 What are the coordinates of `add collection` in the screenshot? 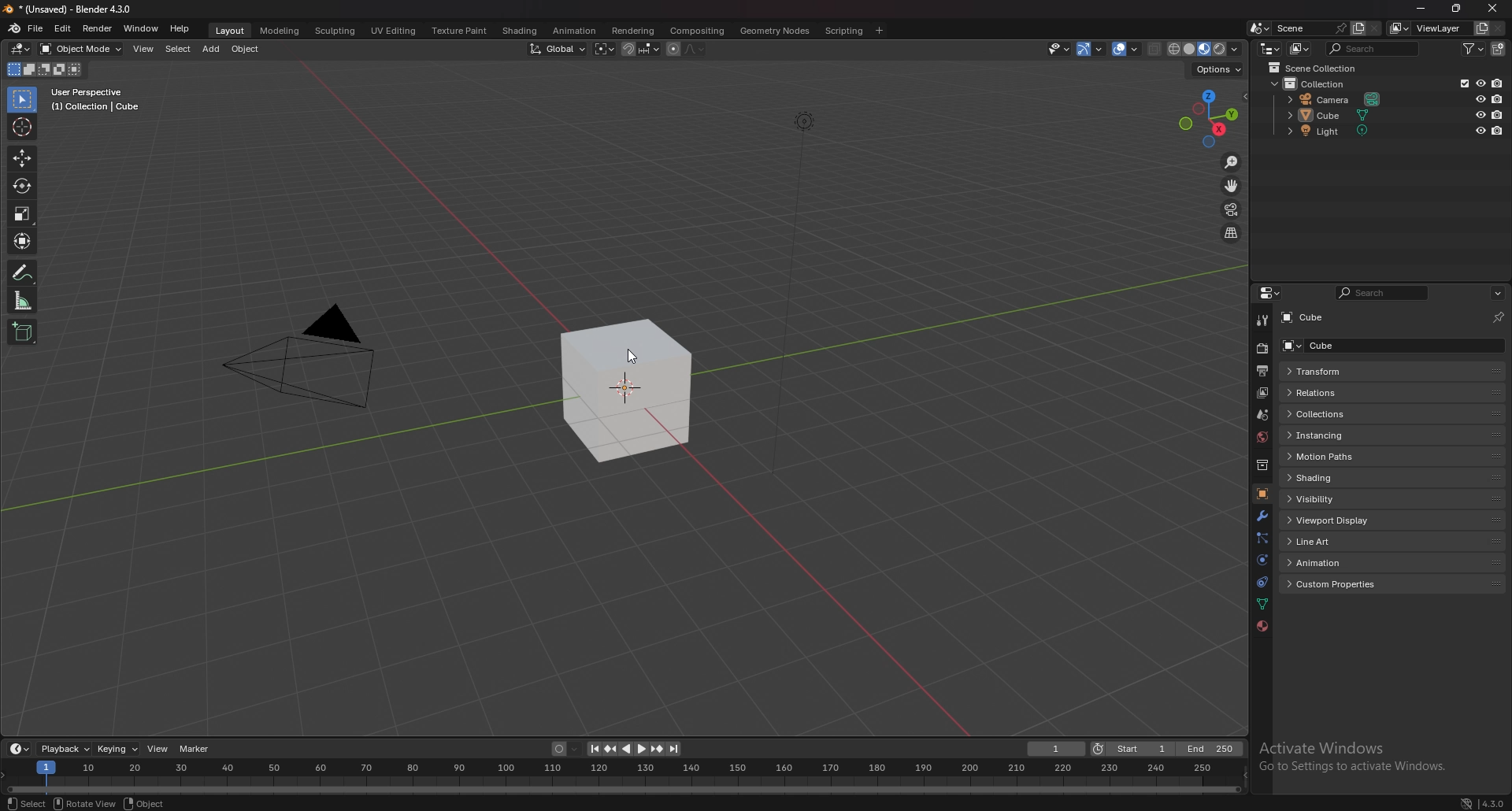 It's located at (1499, 48).